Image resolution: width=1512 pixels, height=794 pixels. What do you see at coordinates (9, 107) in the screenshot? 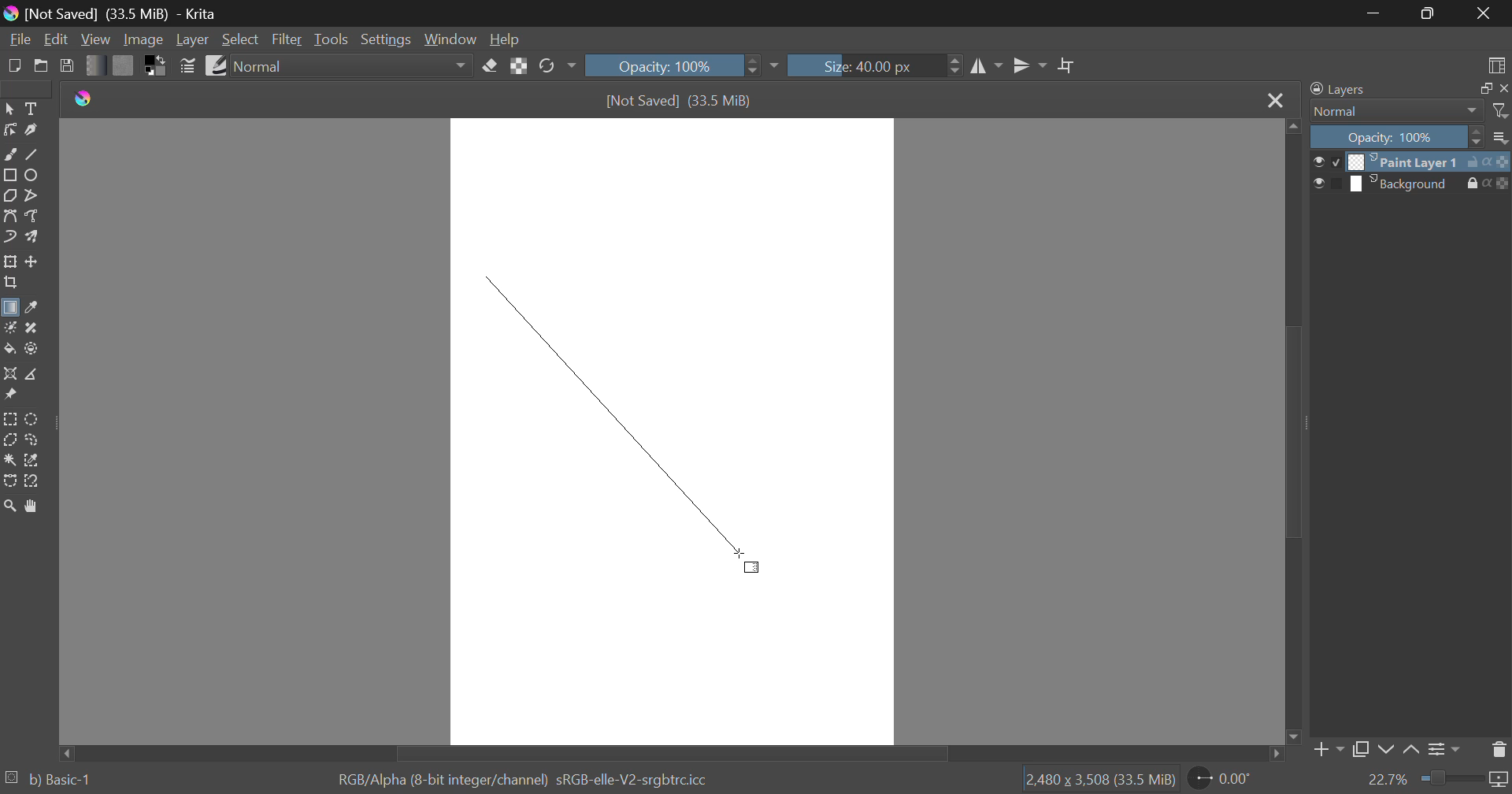
I see `Select` at bounding box center [9, 107].